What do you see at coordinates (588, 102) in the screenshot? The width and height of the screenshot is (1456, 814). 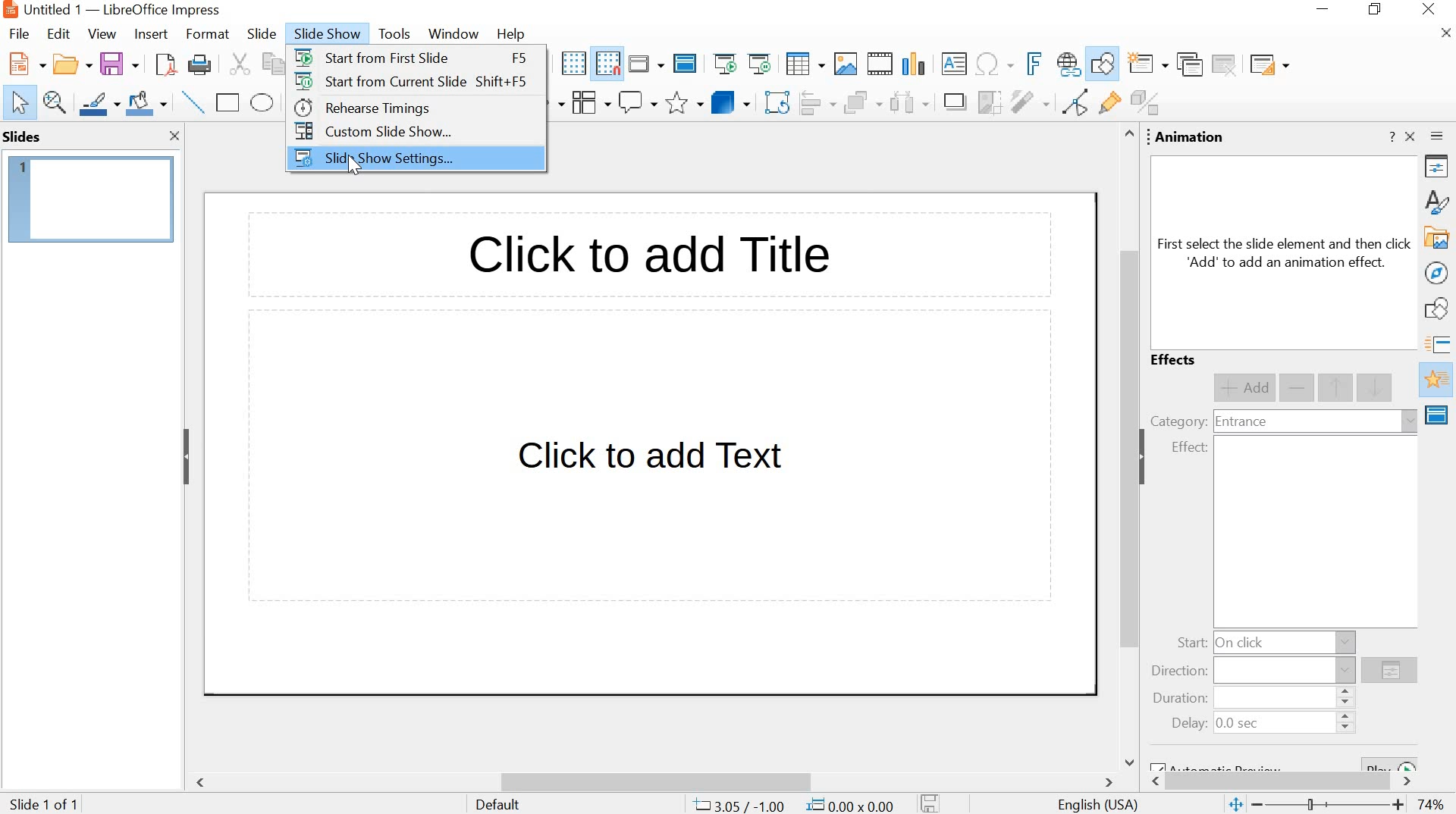 I see `flowchart` at bounding box center [588, 102].